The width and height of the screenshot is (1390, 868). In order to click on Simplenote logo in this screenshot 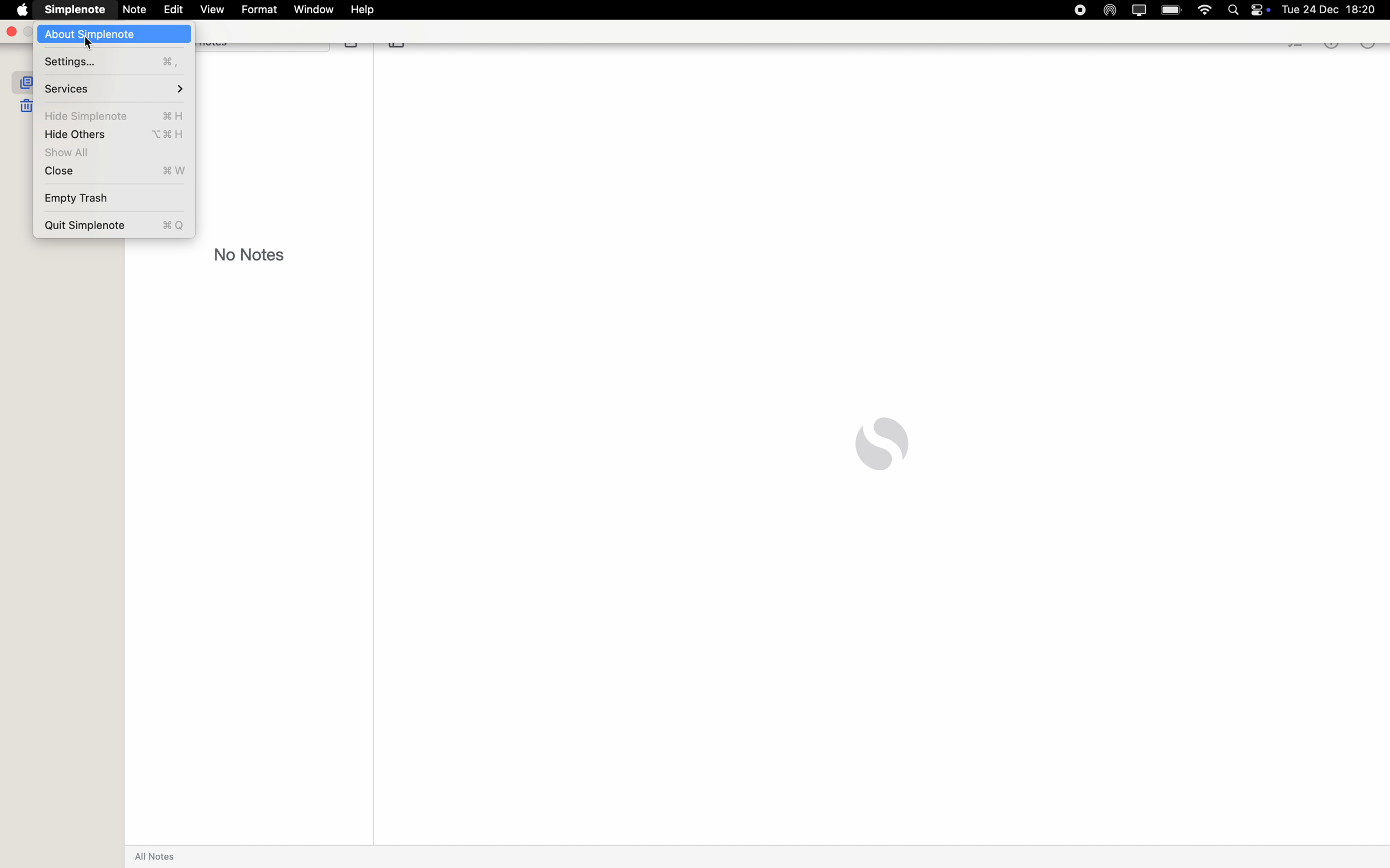, I will do `click(882, 444)`.